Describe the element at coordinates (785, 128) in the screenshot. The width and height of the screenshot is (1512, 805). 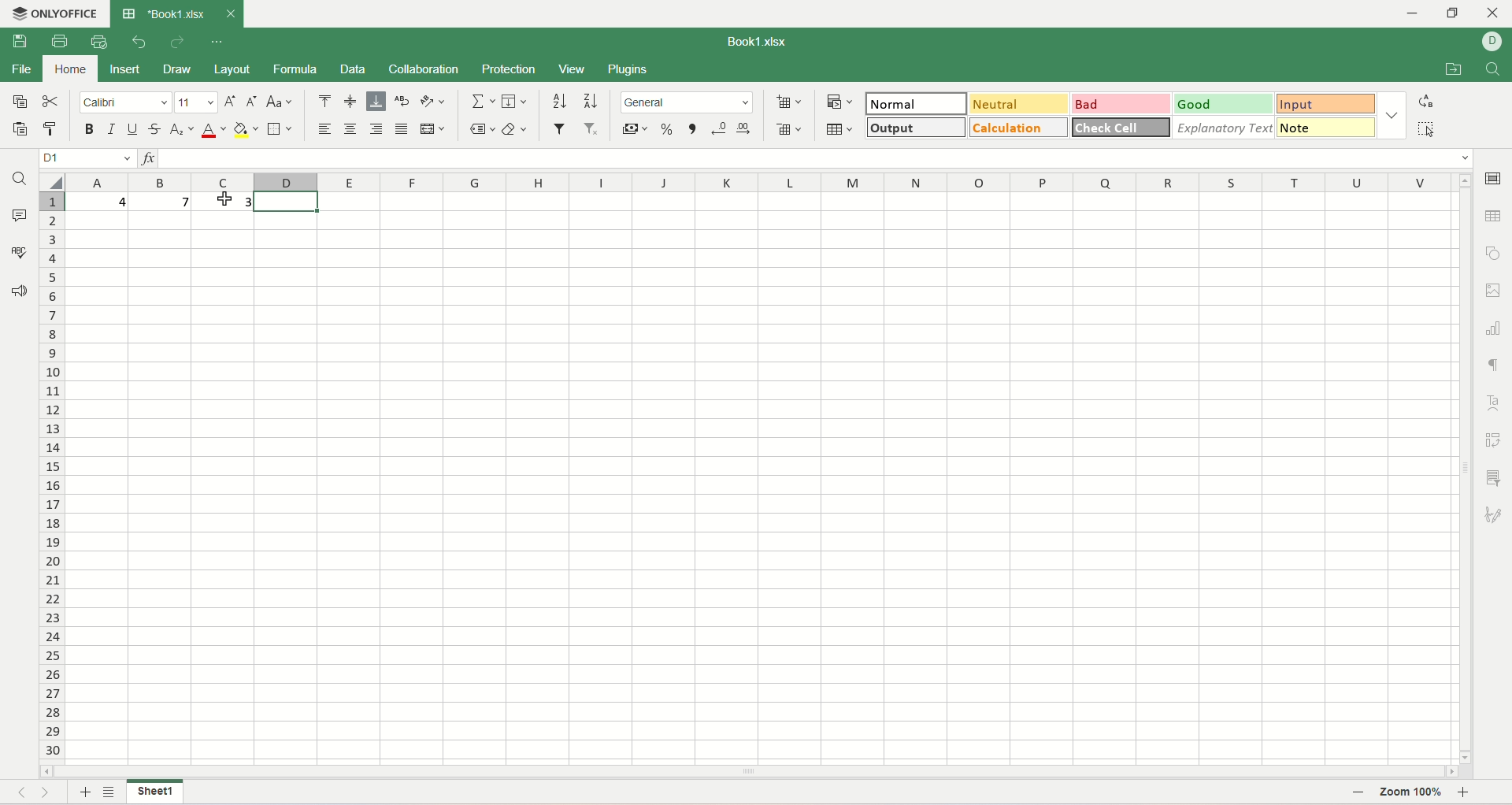
I see `remove cell` at that location.